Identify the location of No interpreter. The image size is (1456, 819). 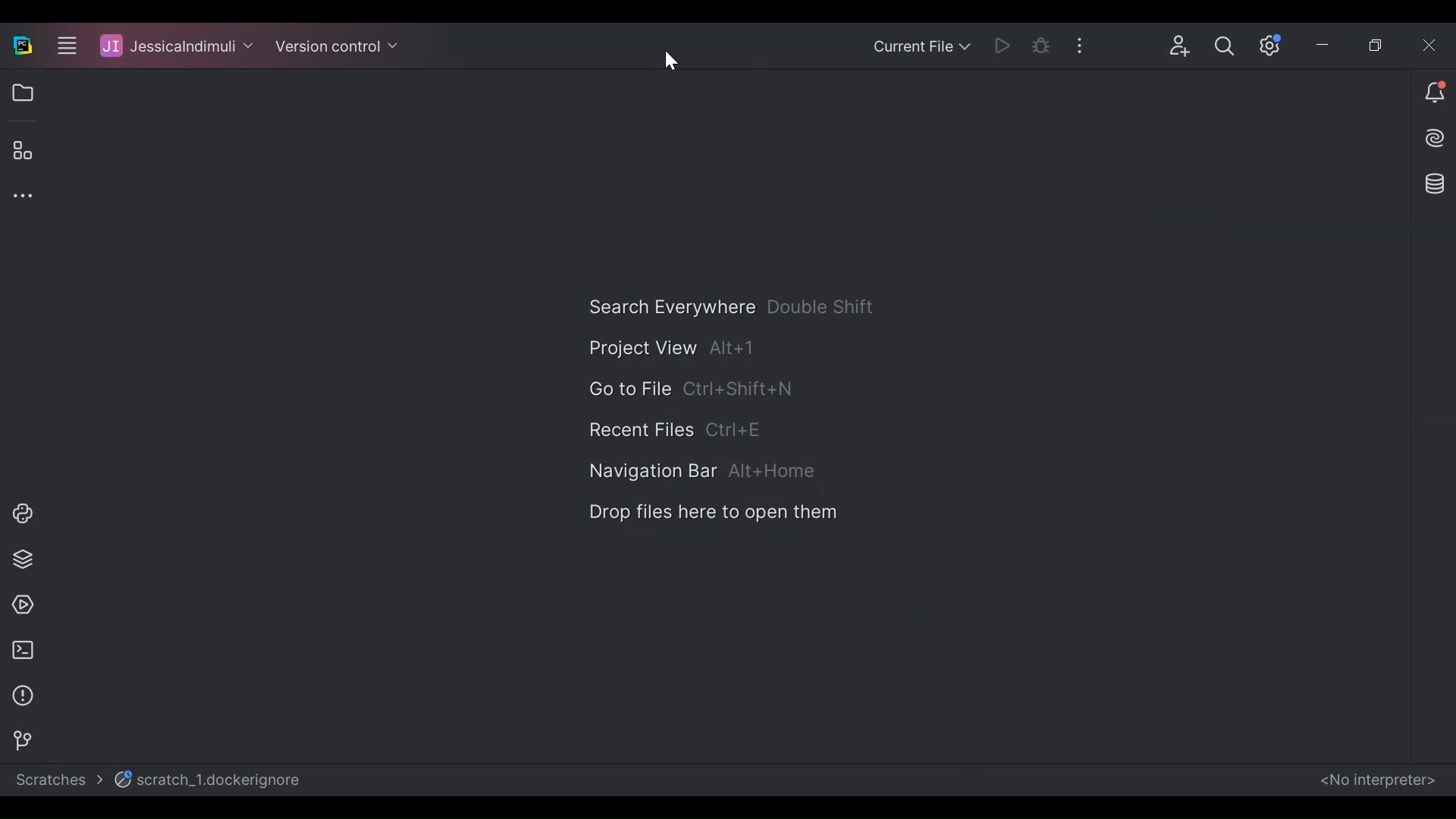
(1377, 781).